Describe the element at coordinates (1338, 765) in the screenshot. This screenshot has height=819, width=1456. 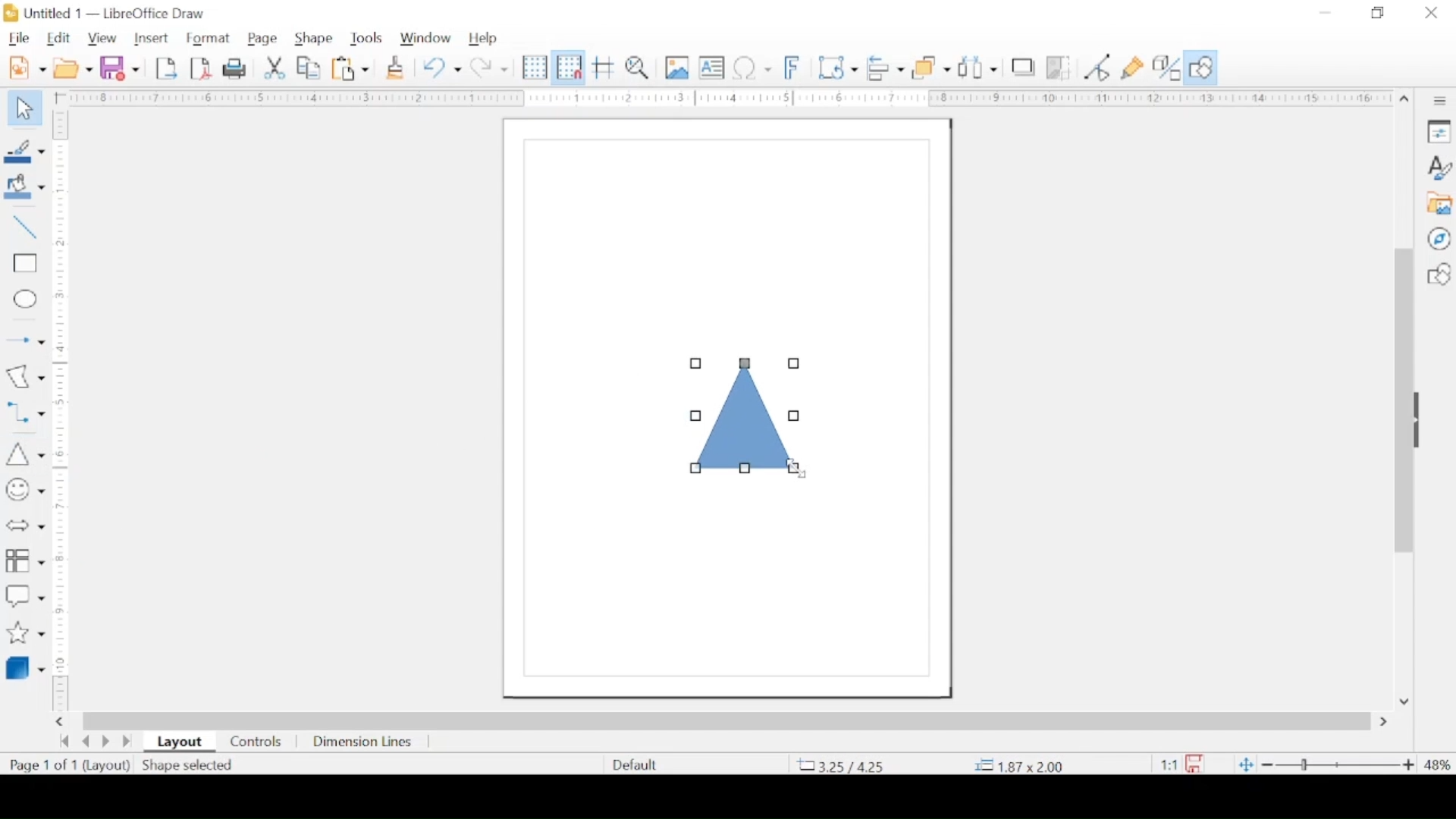
I see `zoom slider` at that location.